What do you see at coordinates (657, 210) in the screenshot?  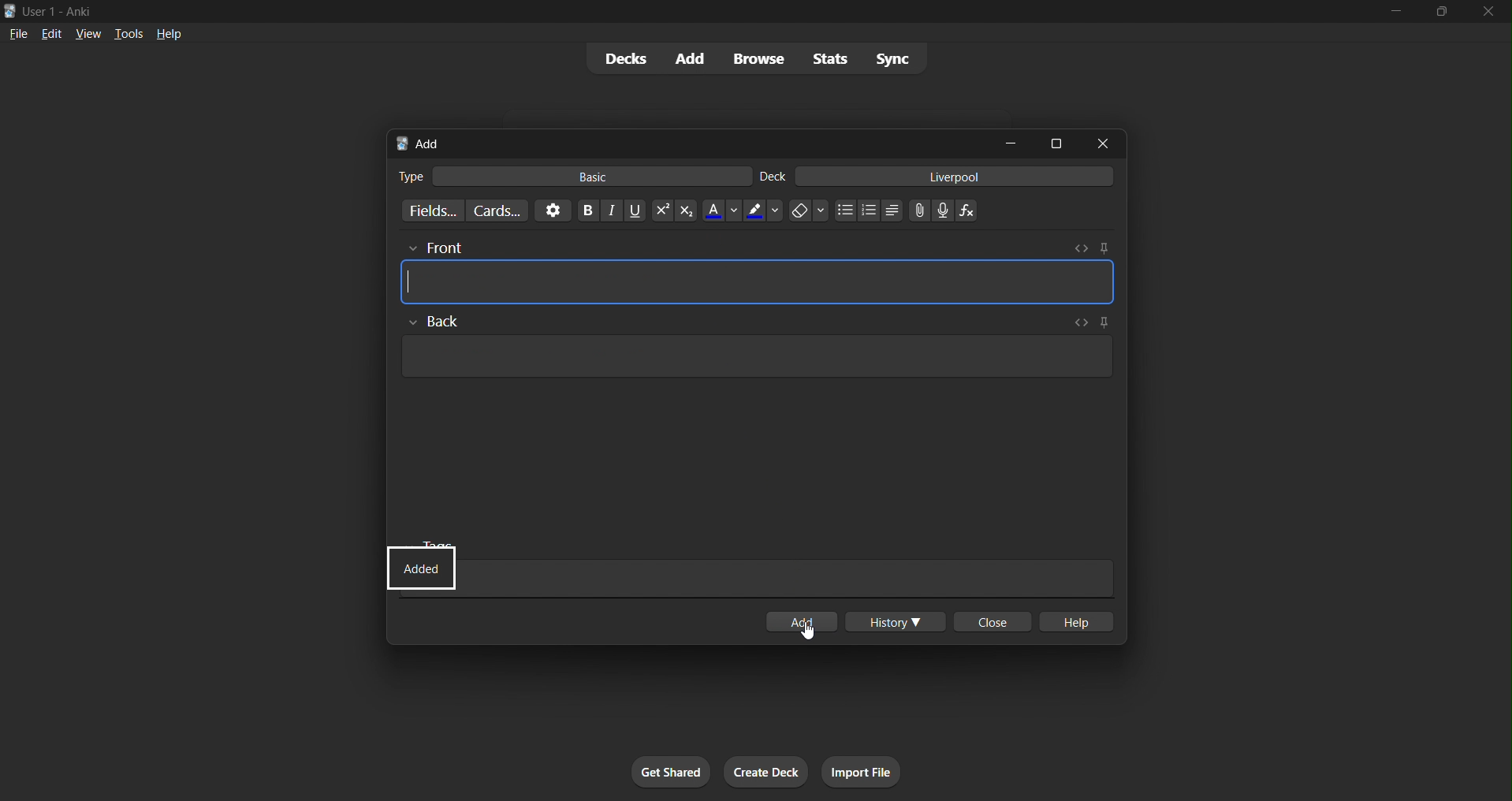 I see `super script` at bounding box center [657, 210].